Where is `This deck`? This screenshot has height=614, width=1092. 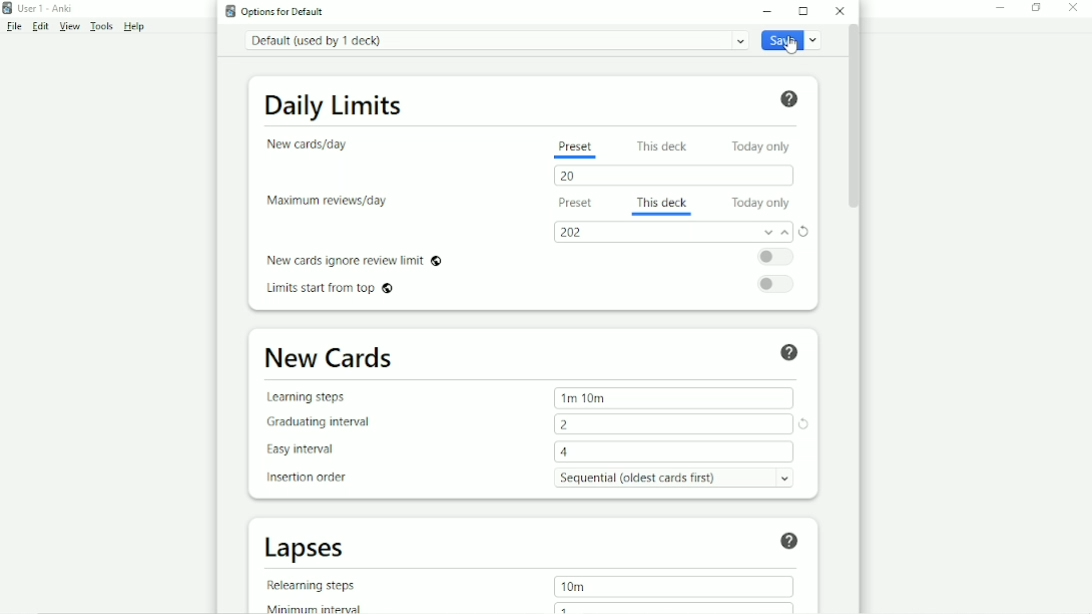 This deck is located at coordinates (663, 200).